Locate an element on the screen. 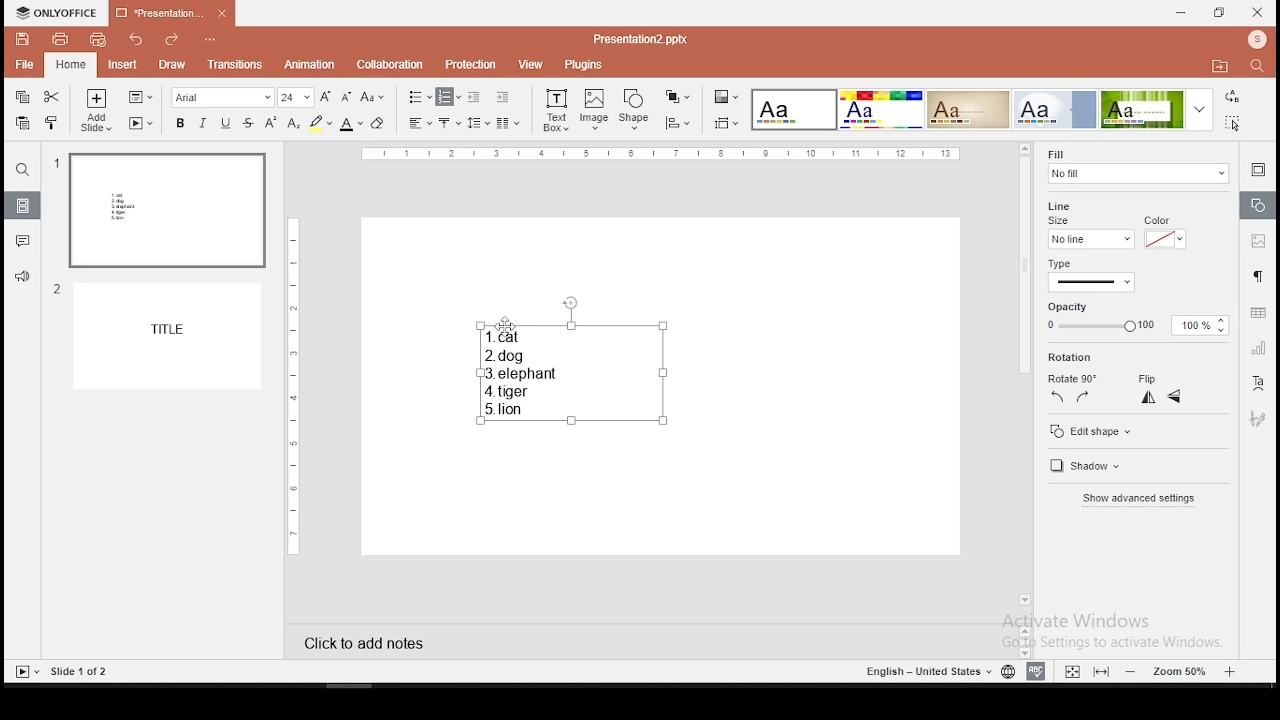 Image resolution: width=1280 pixels, height=720 pixels. file is located at coordinates (24, 66).